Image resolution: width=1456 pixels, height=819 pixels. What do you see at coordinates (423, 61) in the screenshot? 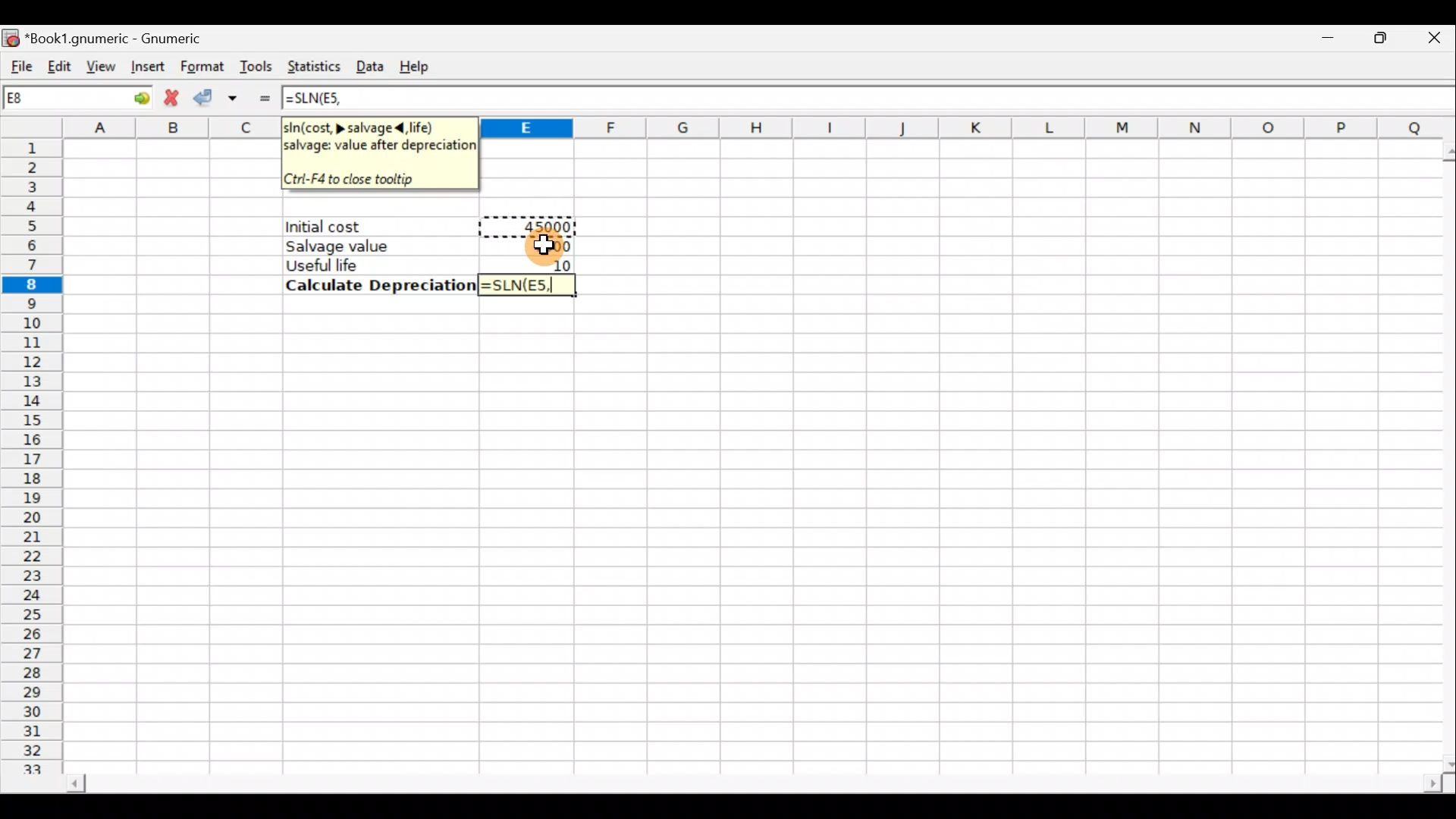
I see `Help` at bounding box center [423, 61].